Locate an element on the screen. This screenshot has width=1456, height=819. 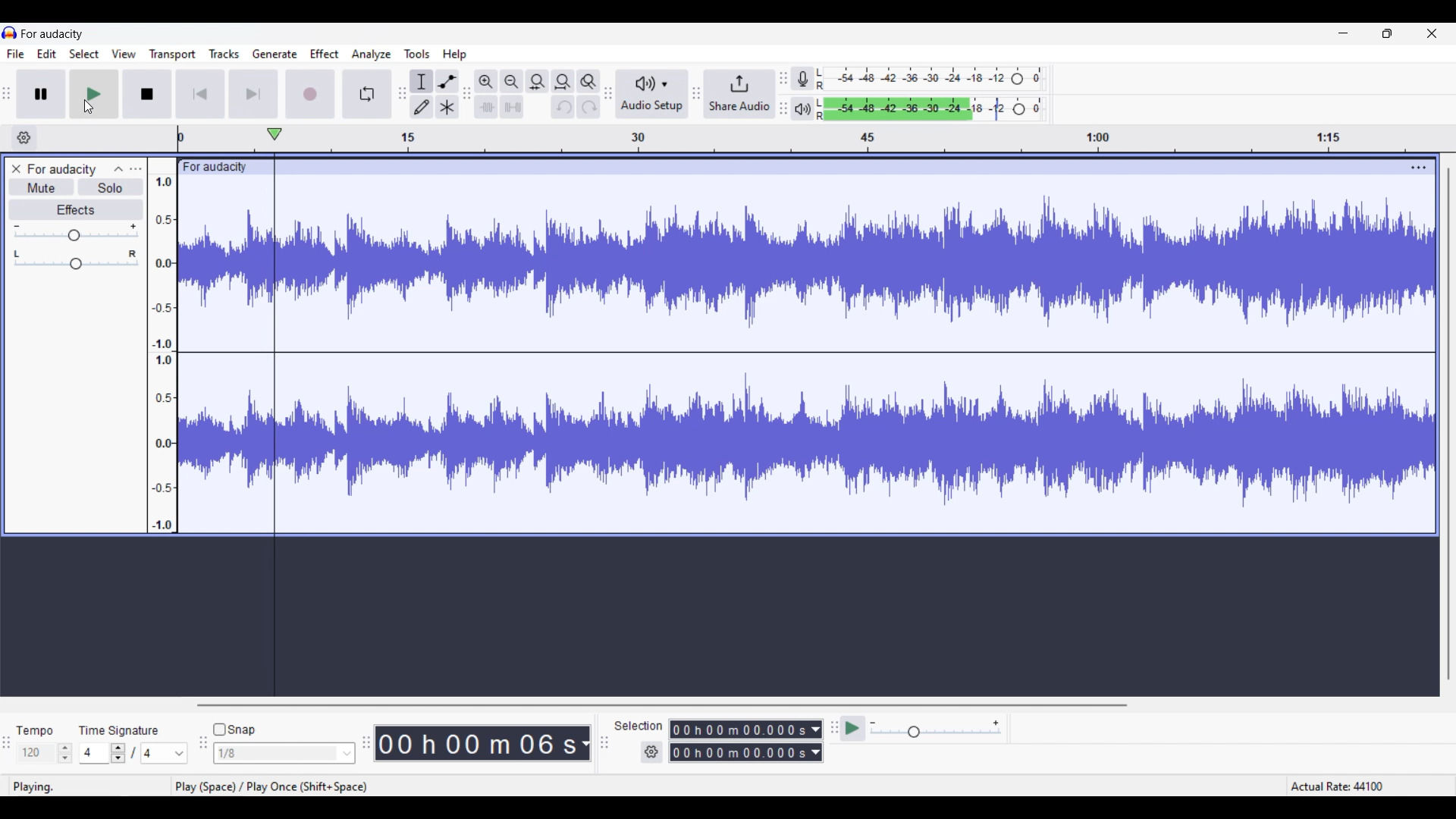
Help menu is located at coordinates (455, 55).